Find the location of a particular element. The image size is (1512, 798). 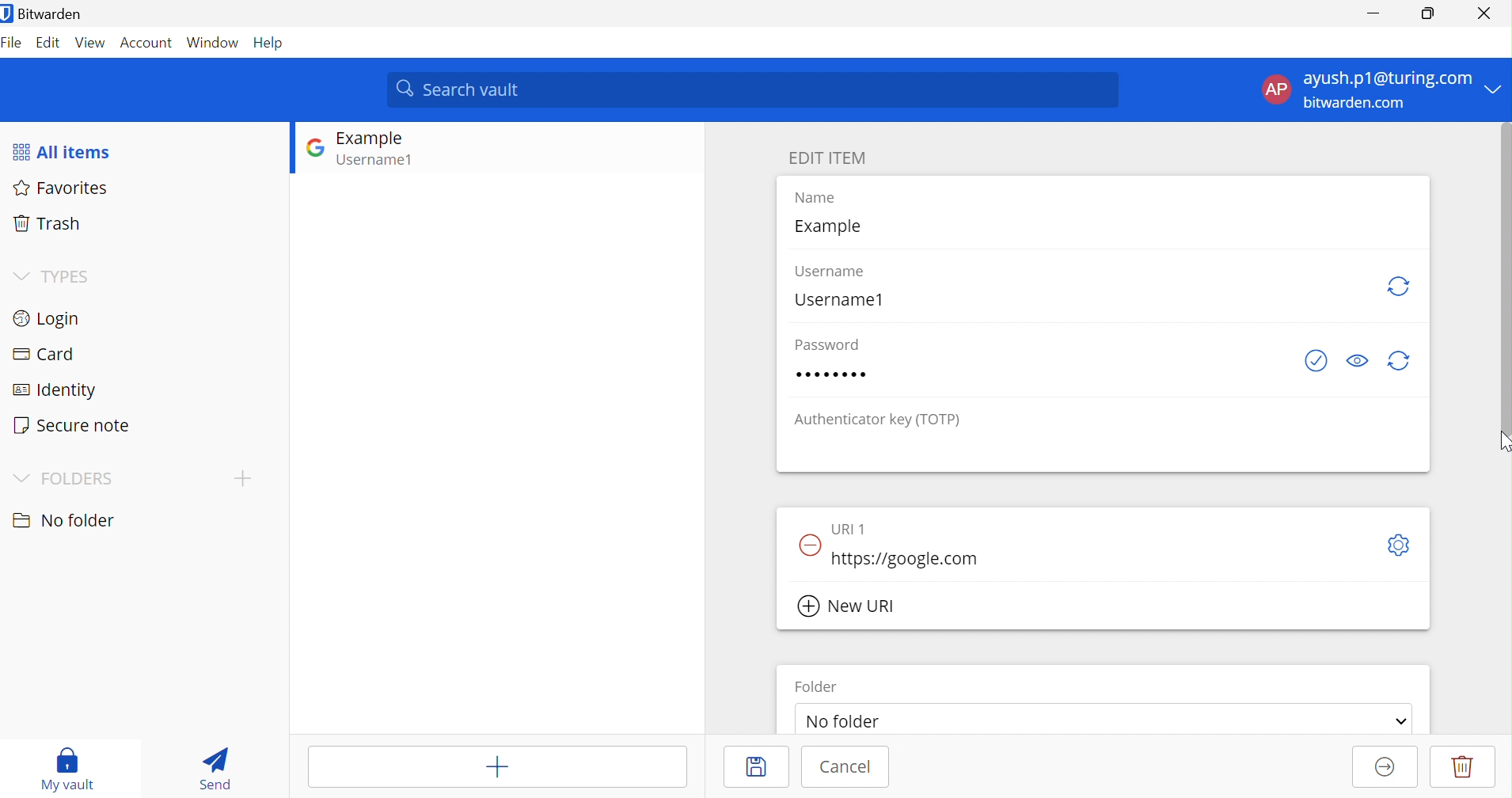

All items is located at coordinates (63, 150).